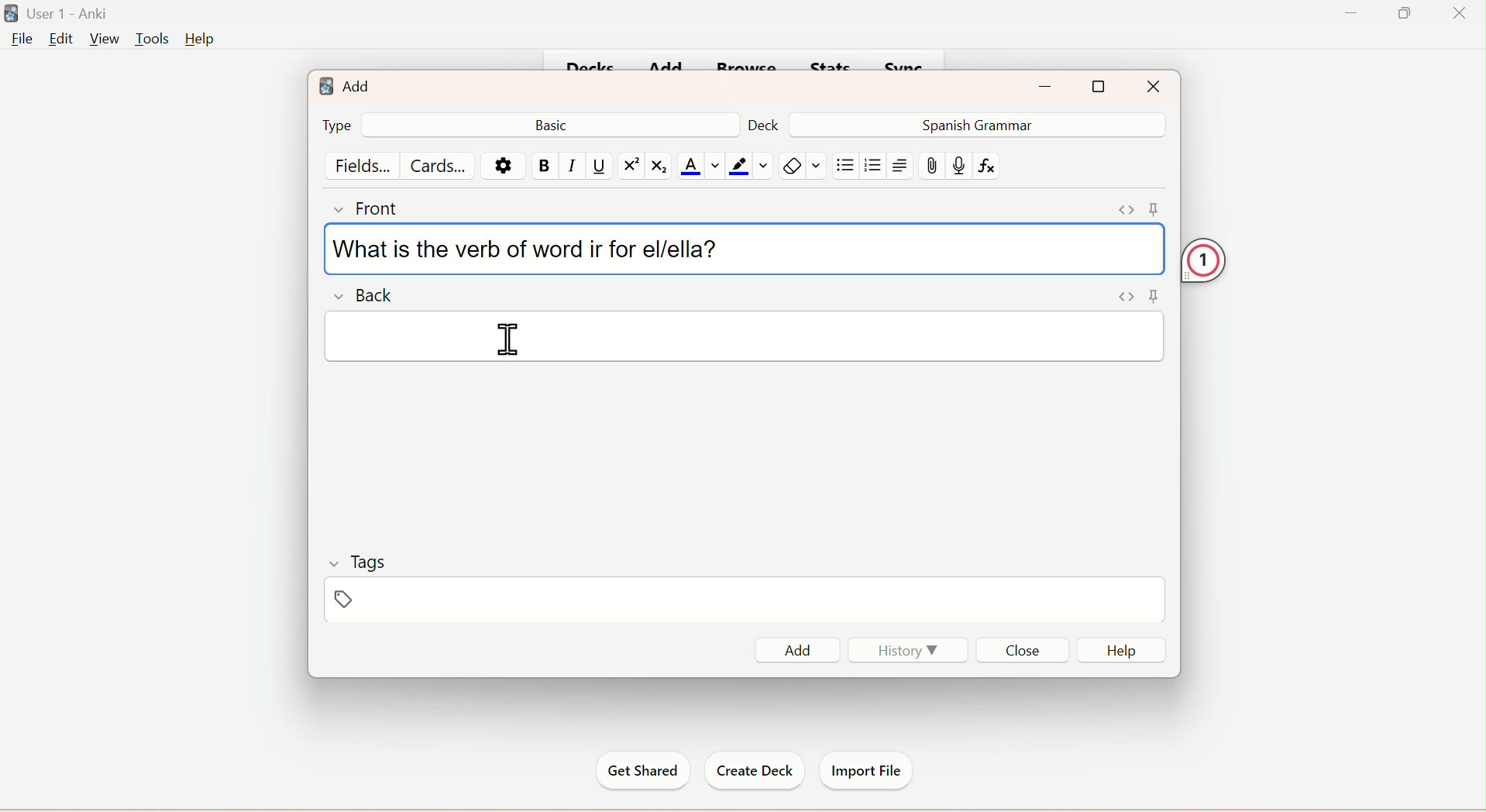  Describe the element at coordinates (973, 124) in the screenshot. I see `Spanish Grammar` at that location.